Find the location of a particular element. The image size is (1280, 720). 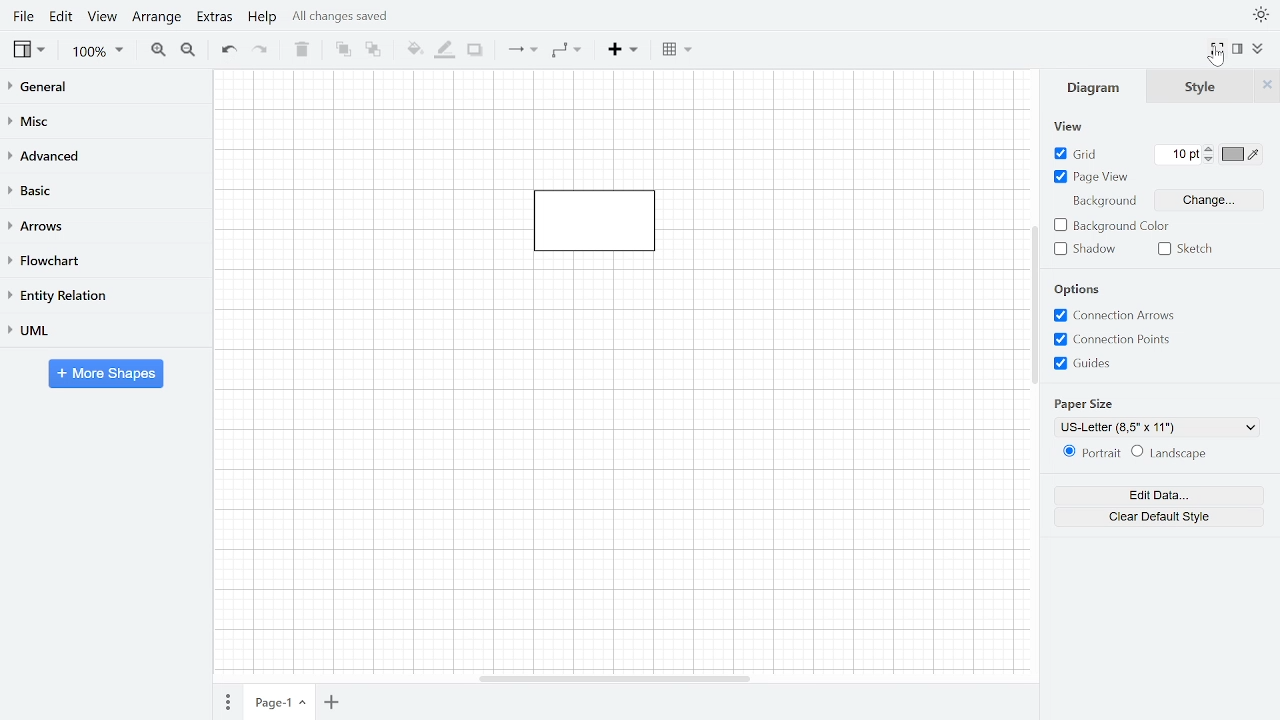

More shapes is located at coordinates (107, 373).